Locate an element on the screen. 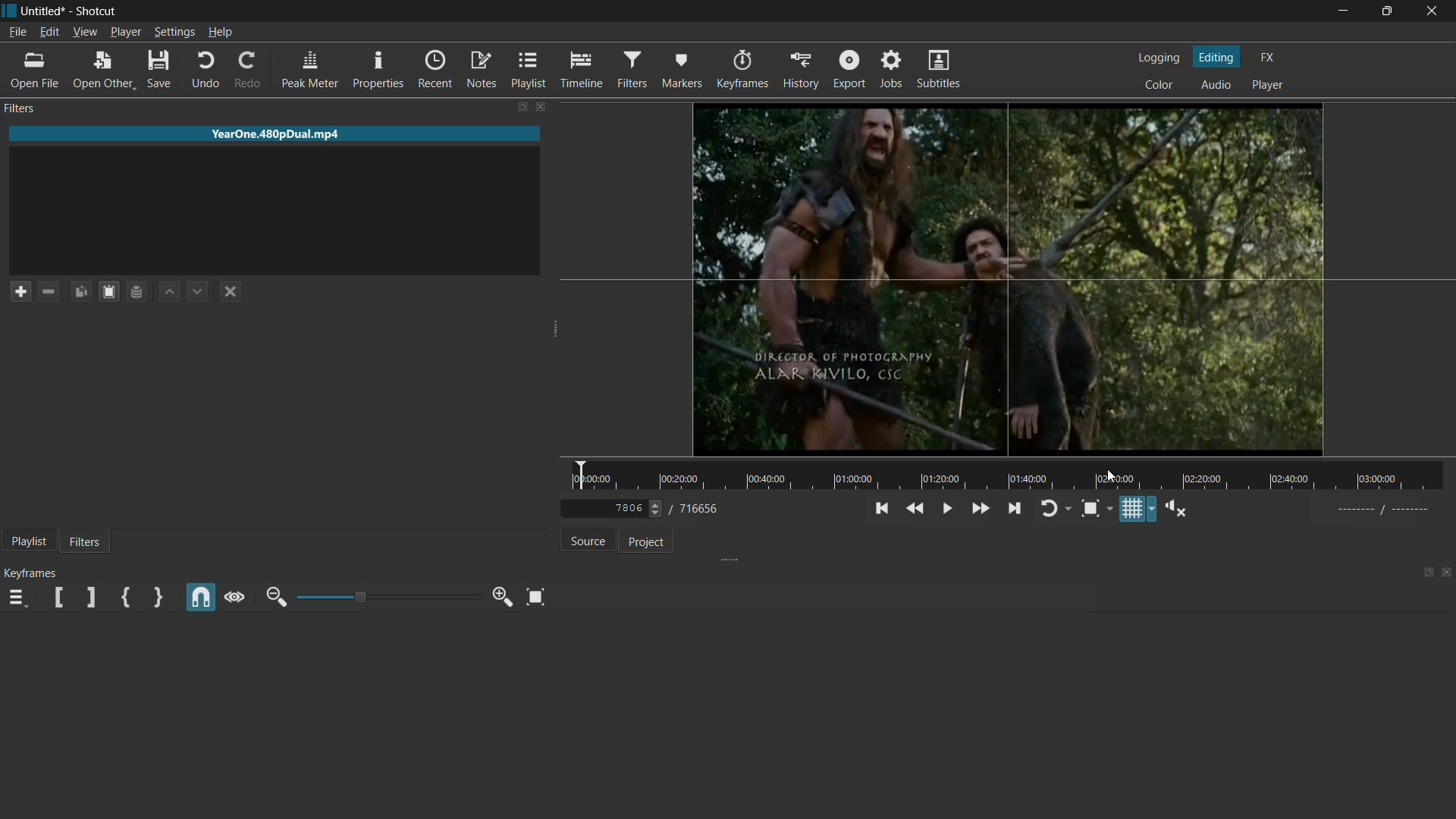 This screenshot has height=819, width=1456. current frame is located at coordinates (627, 509).